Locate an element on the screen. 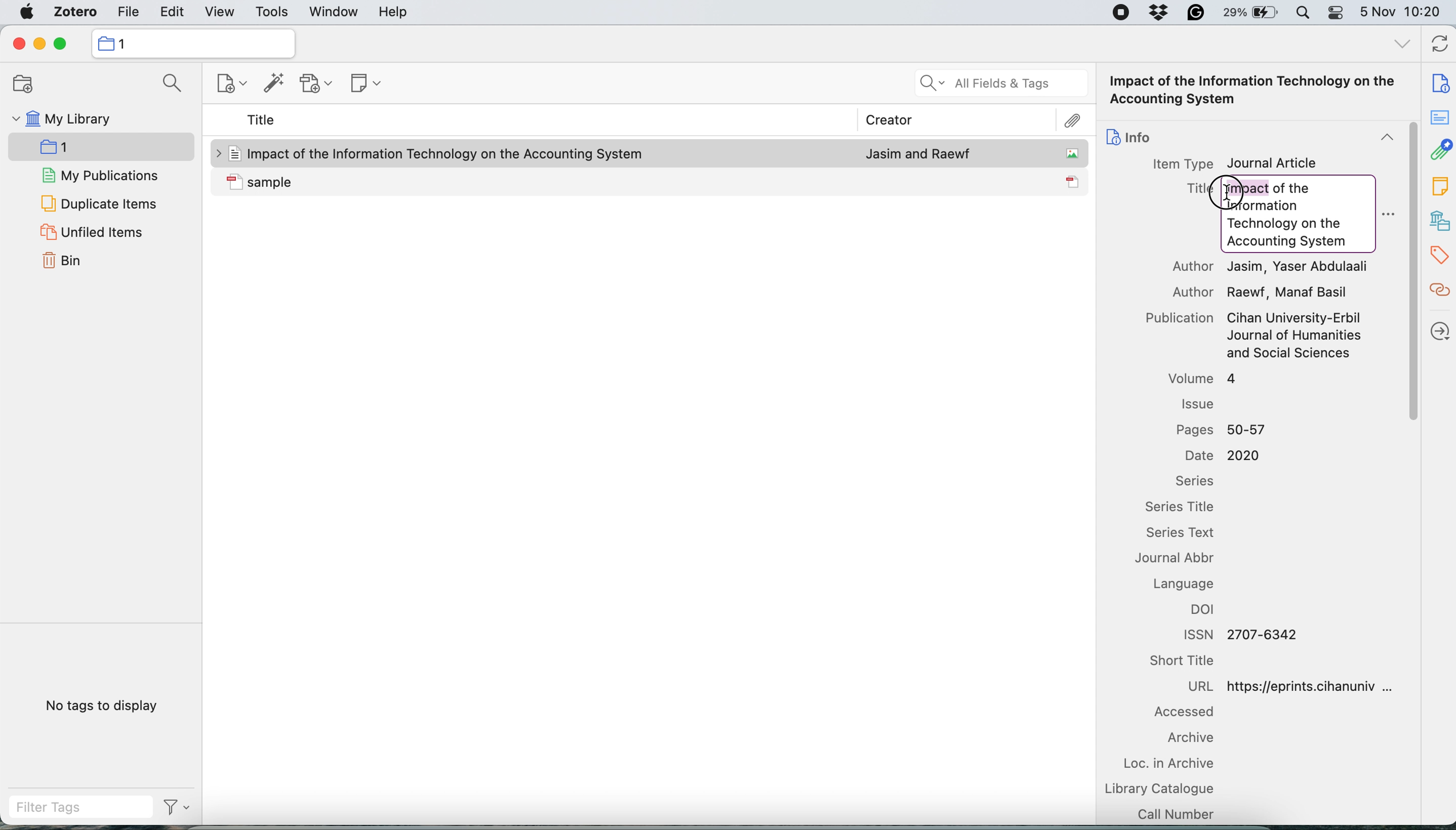 This screenshot has height=830, width=1456. view is located at coordinates (218, 13).